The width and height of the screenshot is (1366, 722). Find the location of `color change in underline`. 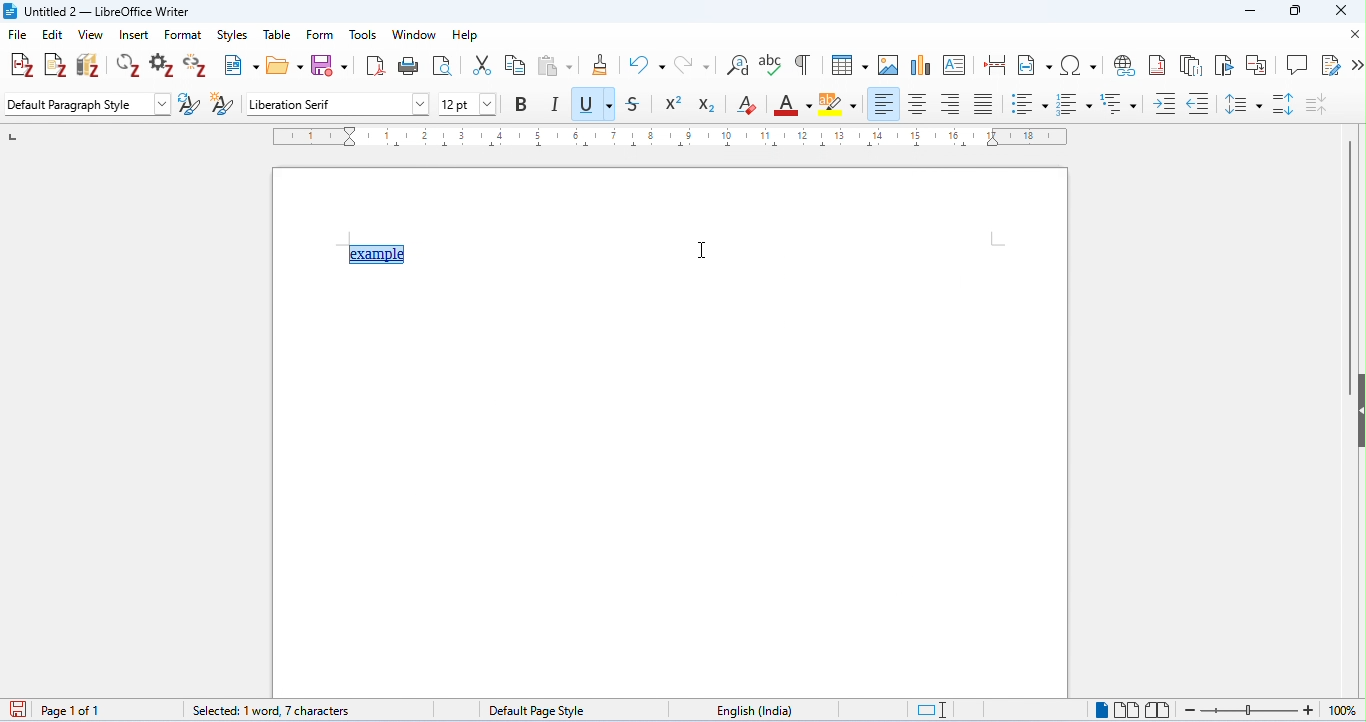

color change in underline is located at coordinates (593, 106).